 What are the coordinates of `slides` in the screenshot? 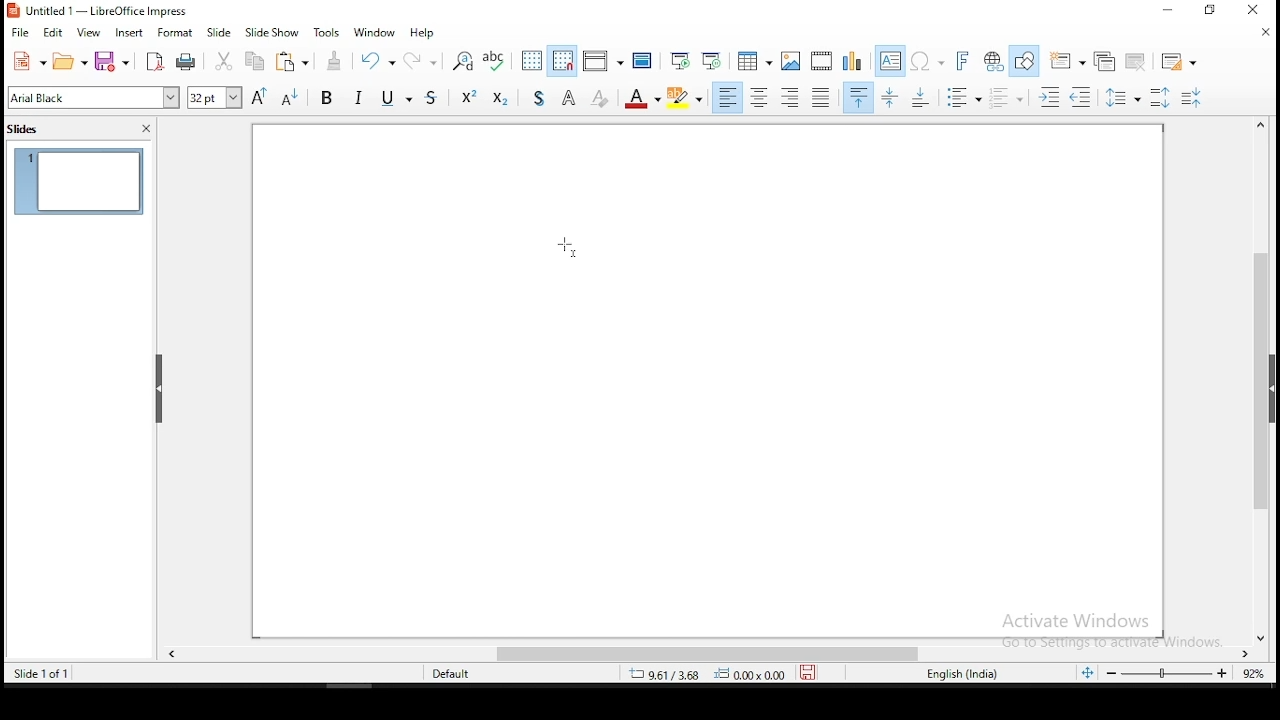 It's located at (26, 131).